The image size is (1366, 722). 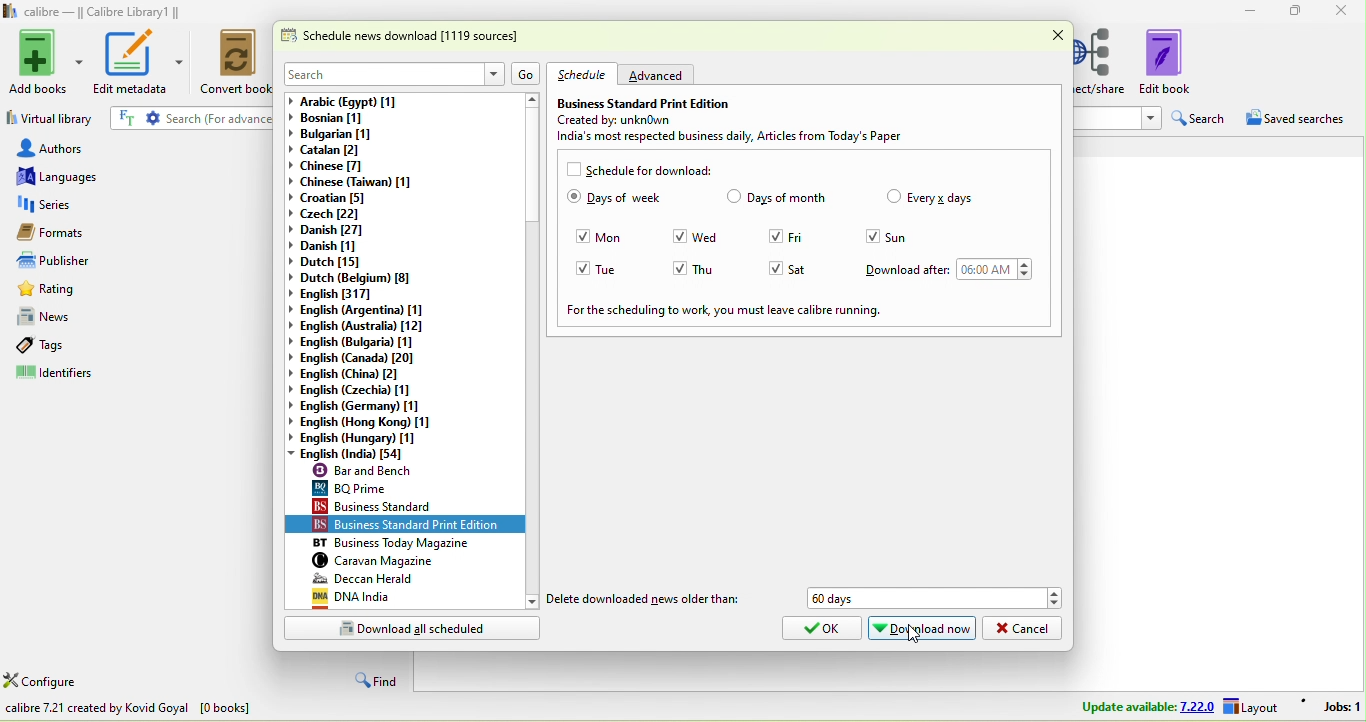 I want to click on czech[22], so click(x=332, y=213).